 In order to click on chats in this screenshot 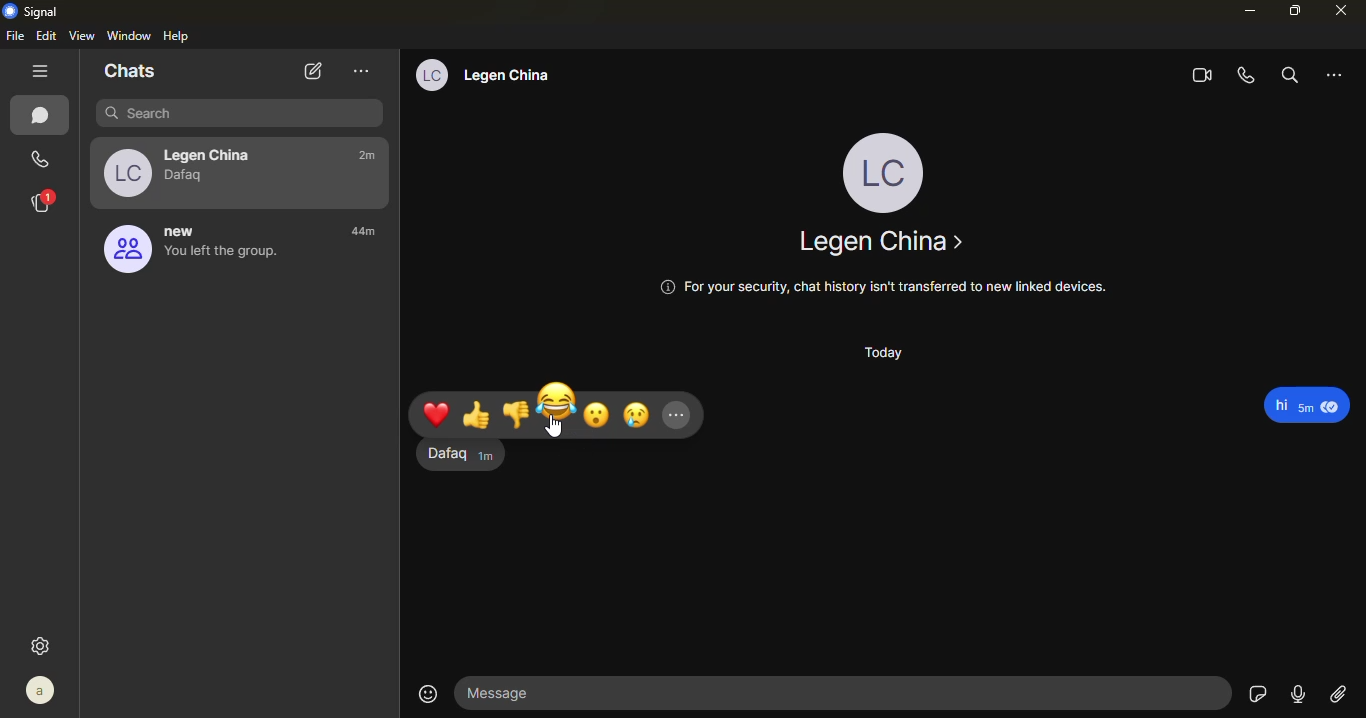, I will do `click(130, 71)`.